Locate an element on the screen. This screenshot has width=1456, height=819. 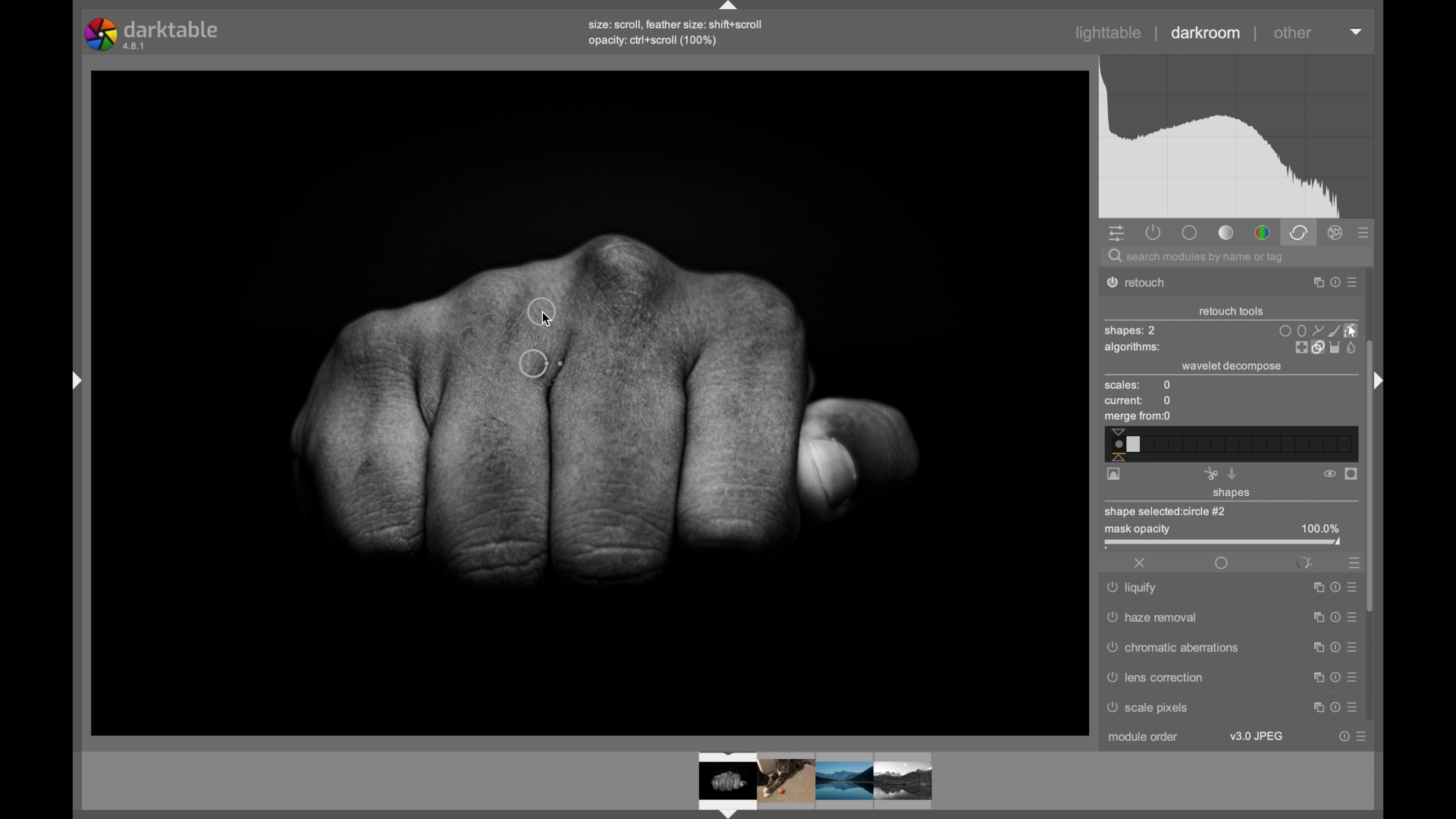
cursor is located at coordinates (557, 320).